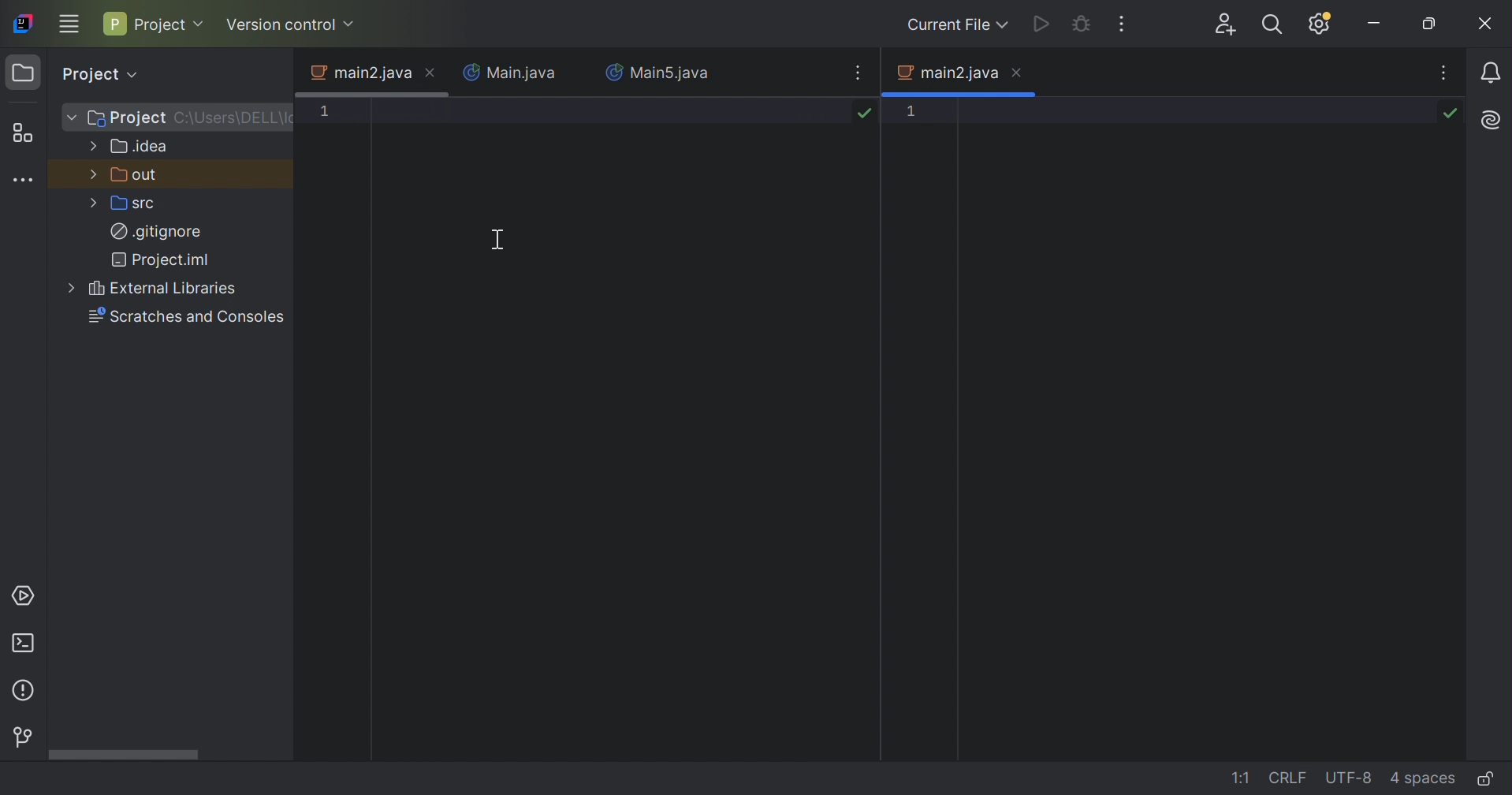 This screenshot has height=795, width=1512. Describe the element at coordinates (955, 27) in the screenshot. I see `Current file` at that location.